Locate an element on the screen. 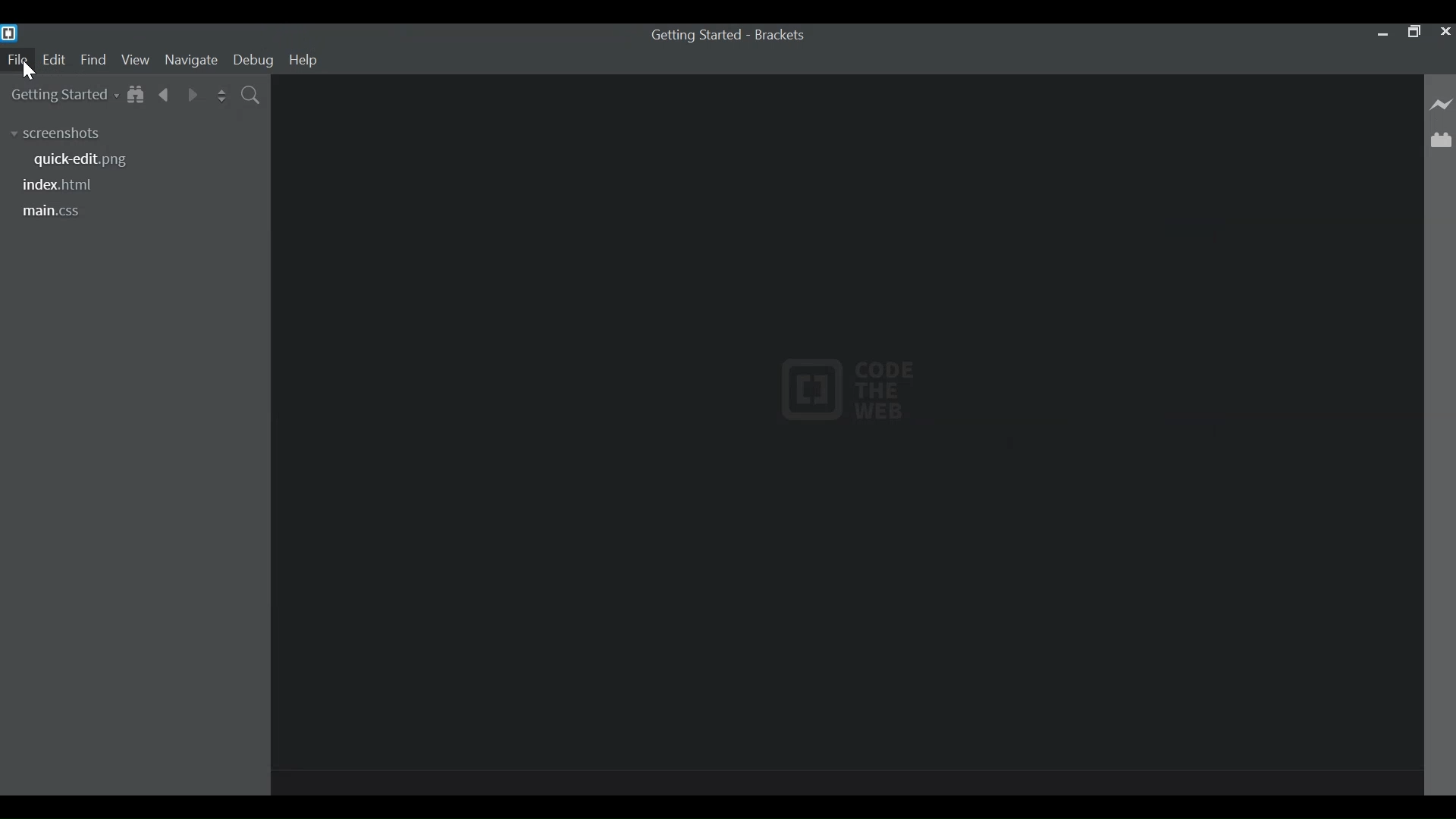 Image resolution: width=1456 pixels, height=819 pixels. Brackets is located at coordinates (783, 35).